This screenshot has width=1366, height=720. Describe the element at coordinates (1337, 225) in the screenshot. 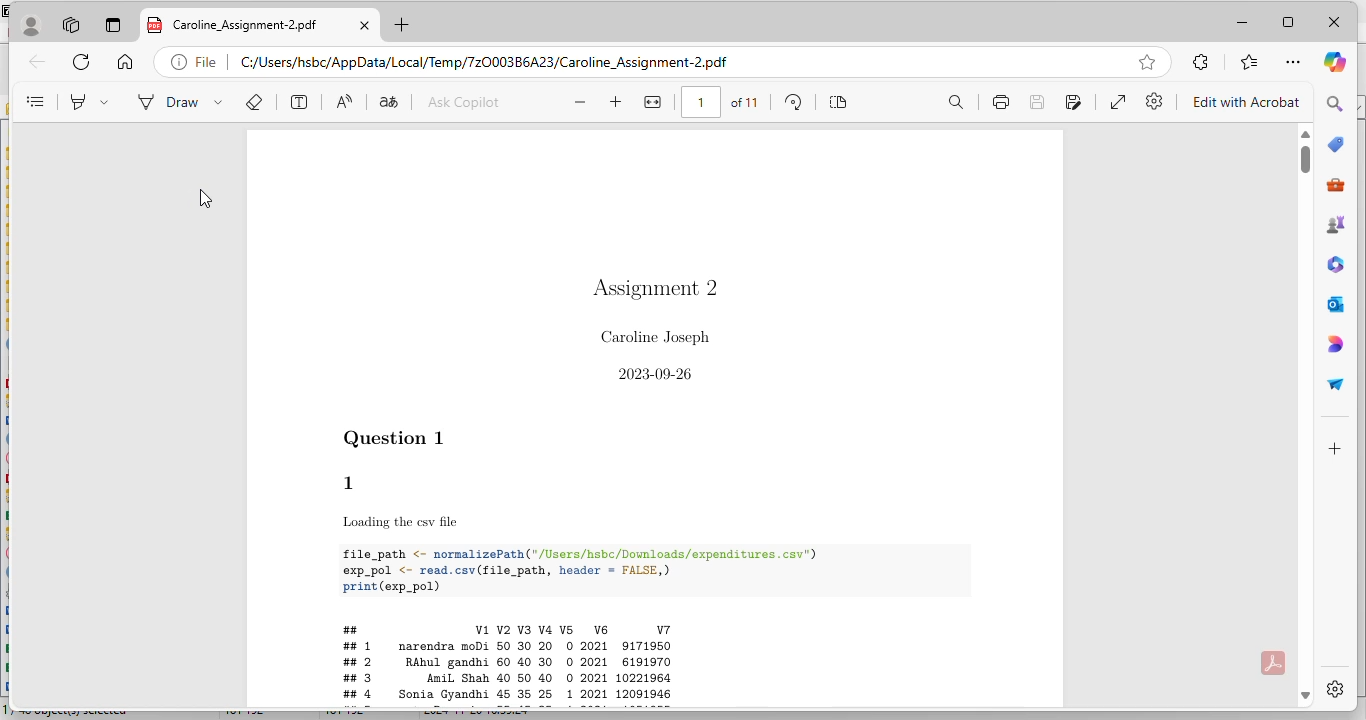

I see `games` at that location.